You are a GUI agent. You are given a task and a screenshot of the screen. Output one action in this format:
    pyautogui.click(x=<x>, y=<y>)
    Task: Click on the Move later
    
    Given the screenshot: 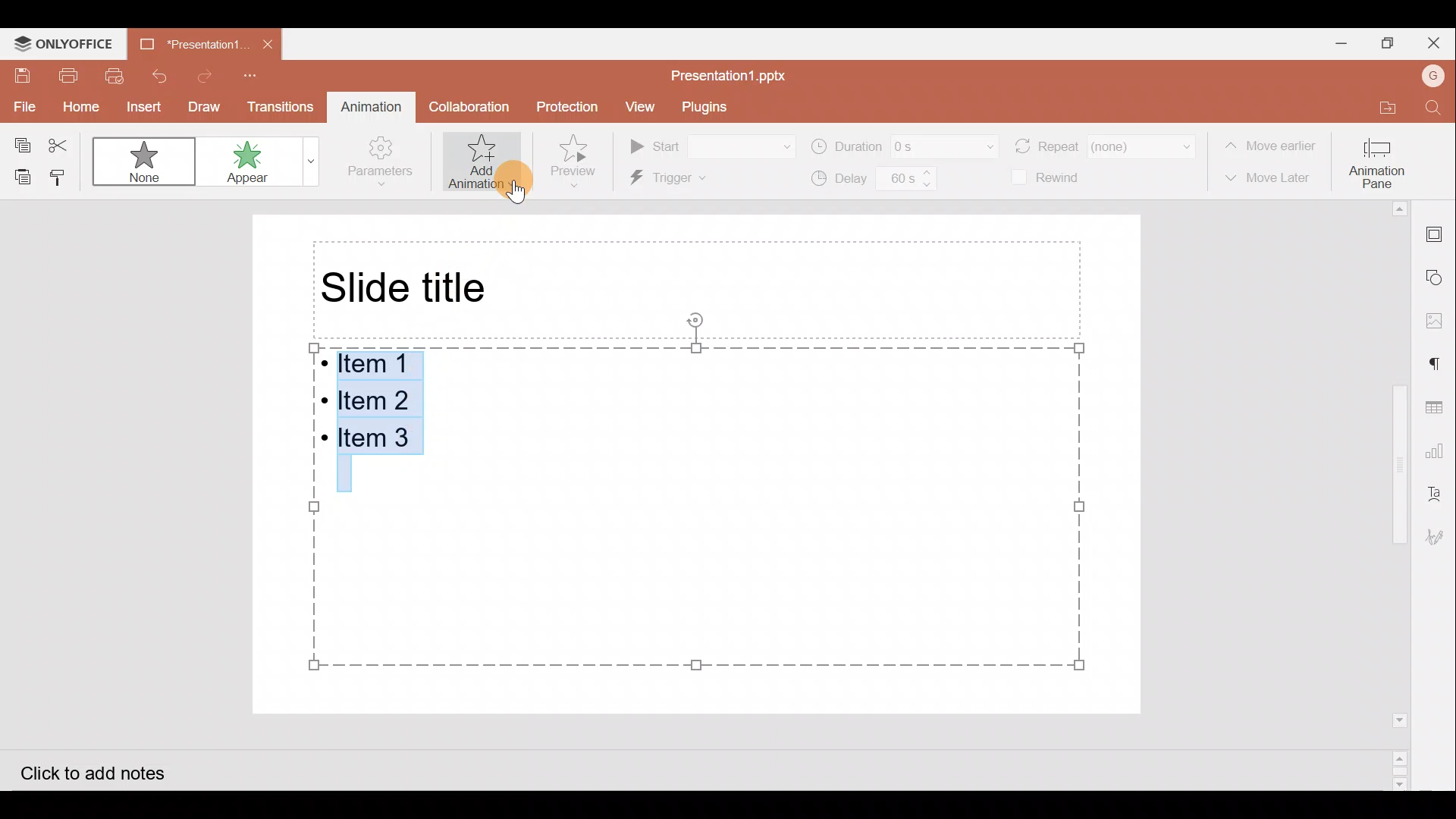 What is the action you would take?
    pyautogui.click(x=1269, y=179)
    